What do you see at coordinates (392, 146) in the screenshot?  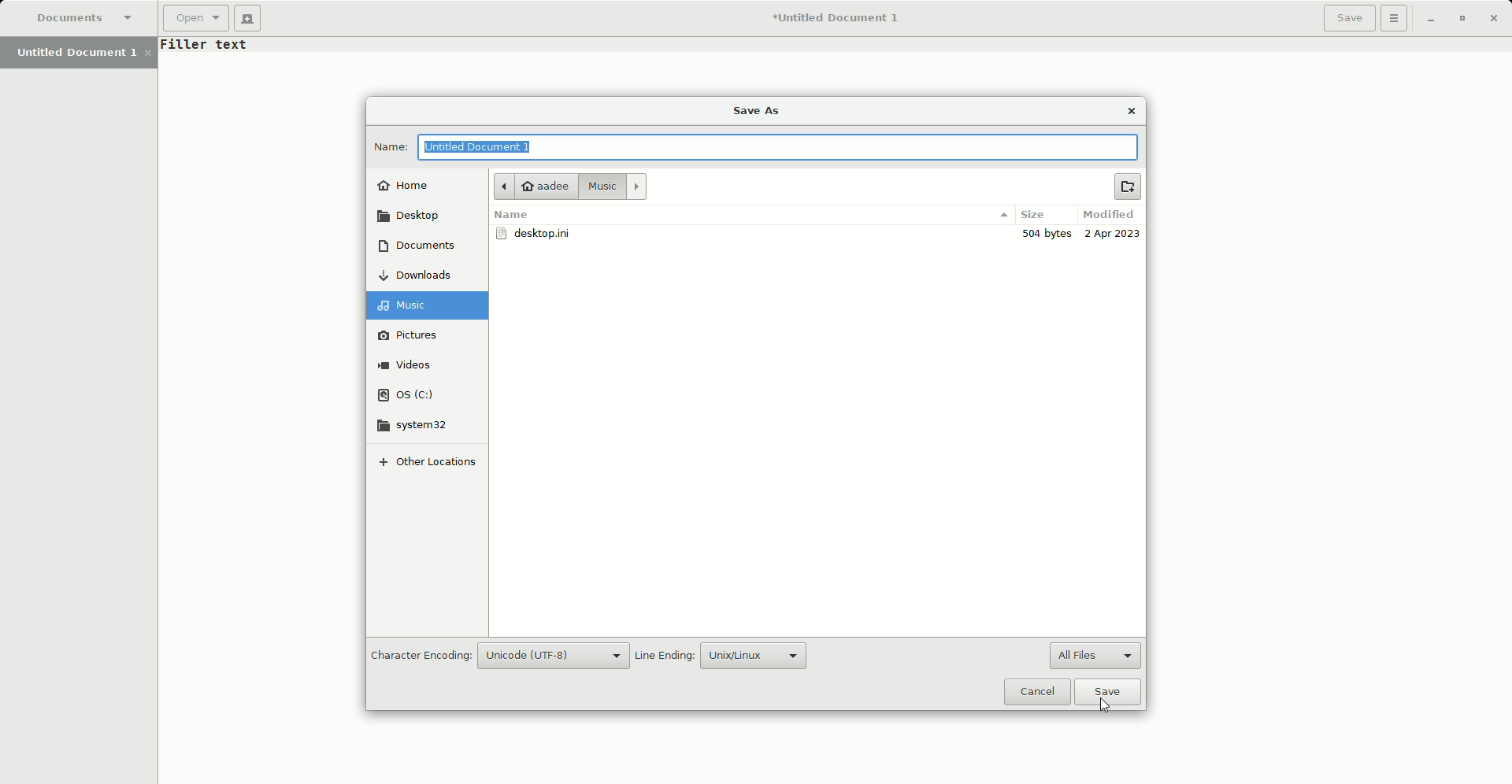 I see `Name` at bounding box center [392, 146].